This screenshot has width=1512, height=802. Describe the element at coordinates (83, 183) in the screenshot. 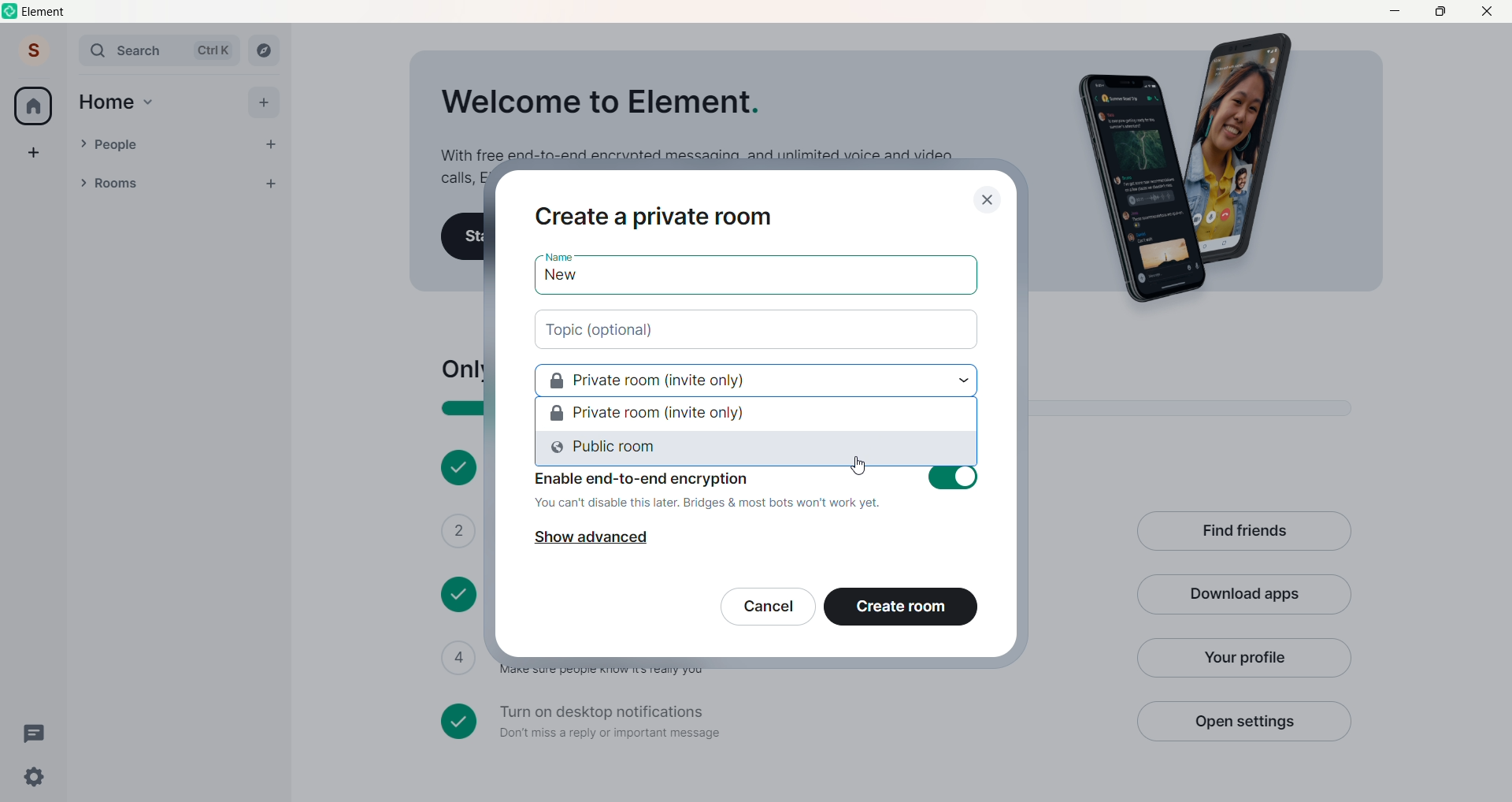

I see `Room Drop Down` at that location.